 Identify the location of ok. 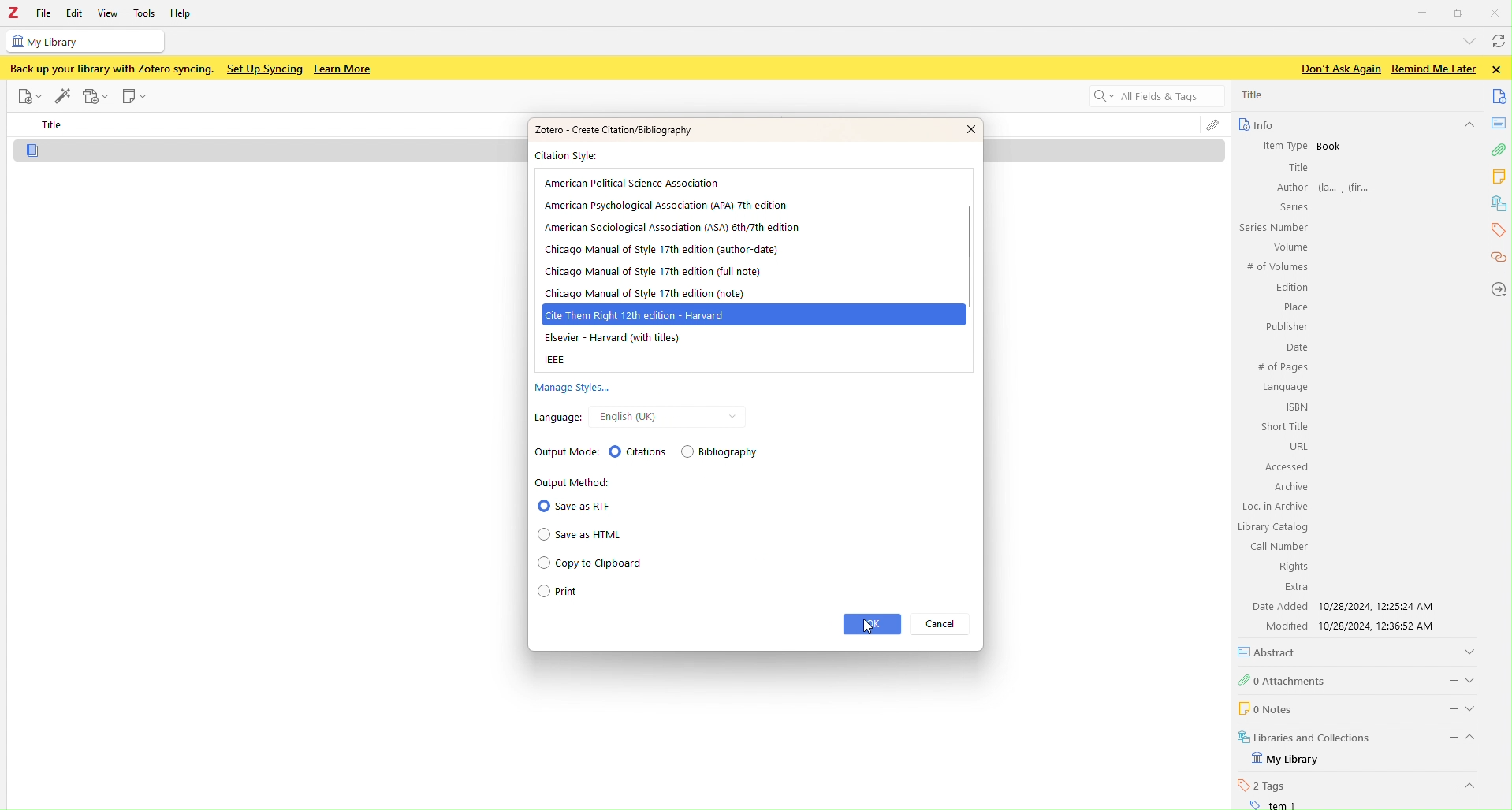
(872, 624).